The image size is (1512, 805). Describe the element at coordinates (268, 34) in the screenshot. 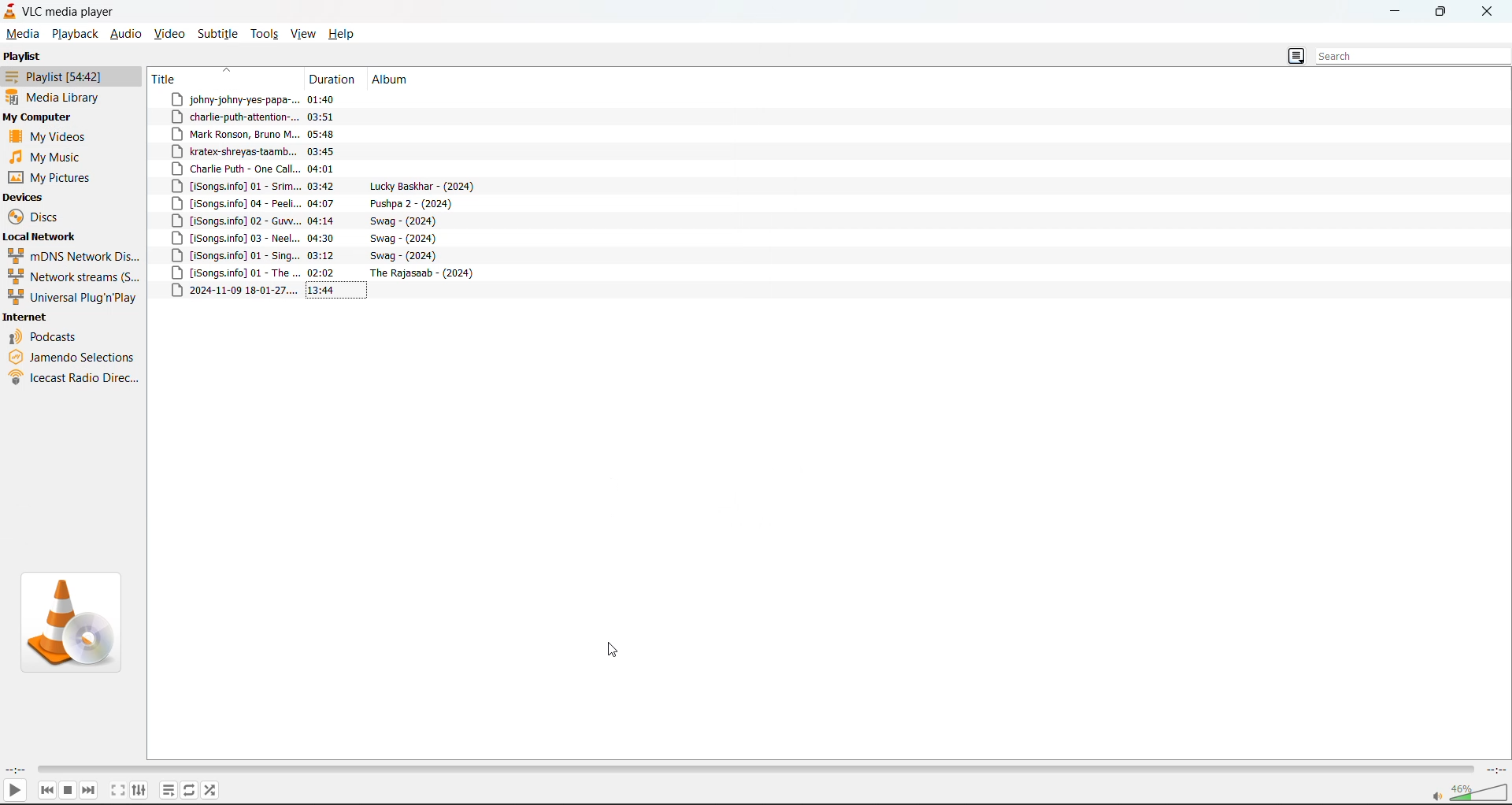

I see `tools` at that location.